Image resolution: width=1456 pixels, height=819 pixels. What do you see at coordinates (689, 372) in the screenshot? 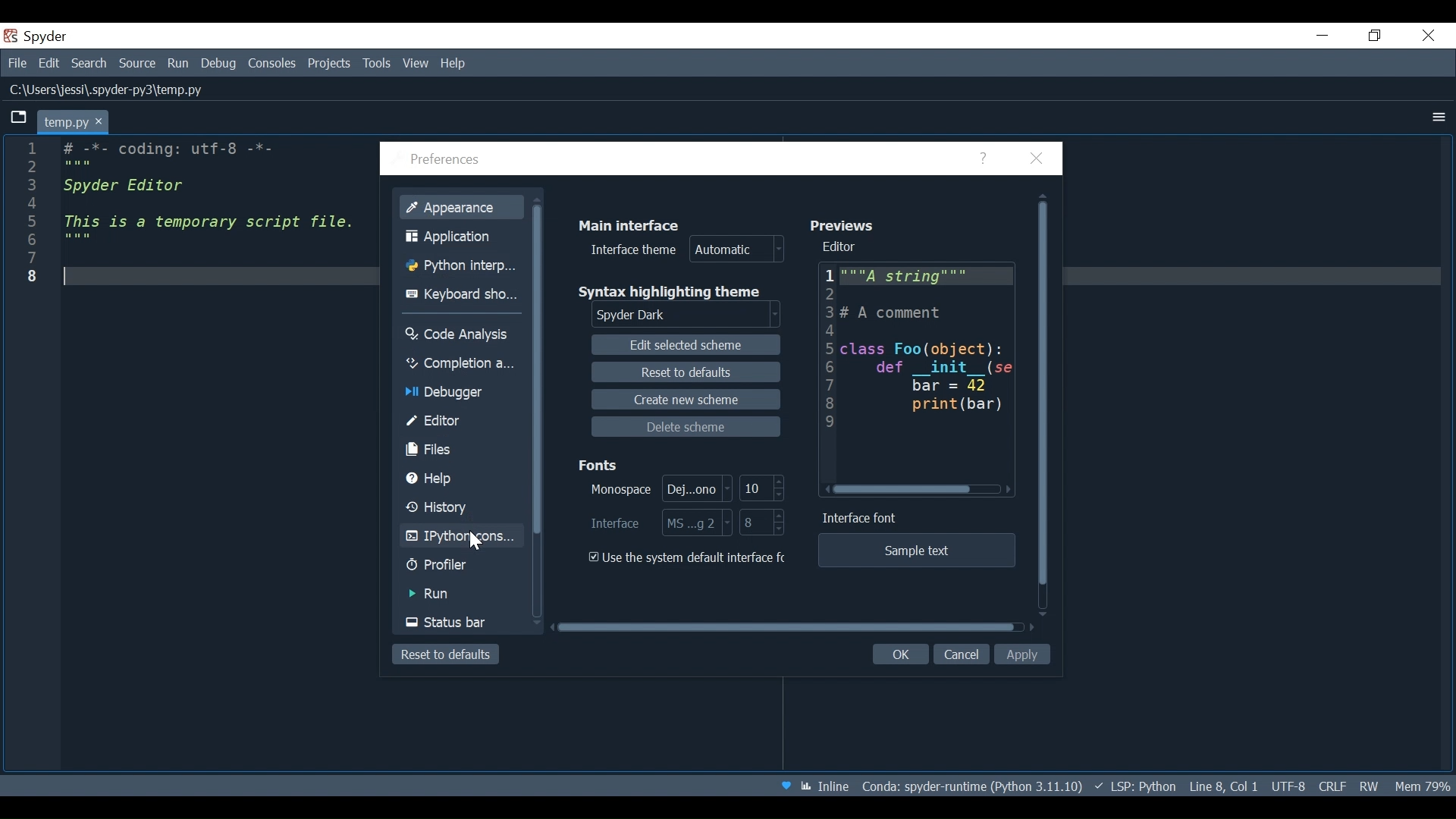
I see `Reset to defaults` at bounding box center [689, 372].